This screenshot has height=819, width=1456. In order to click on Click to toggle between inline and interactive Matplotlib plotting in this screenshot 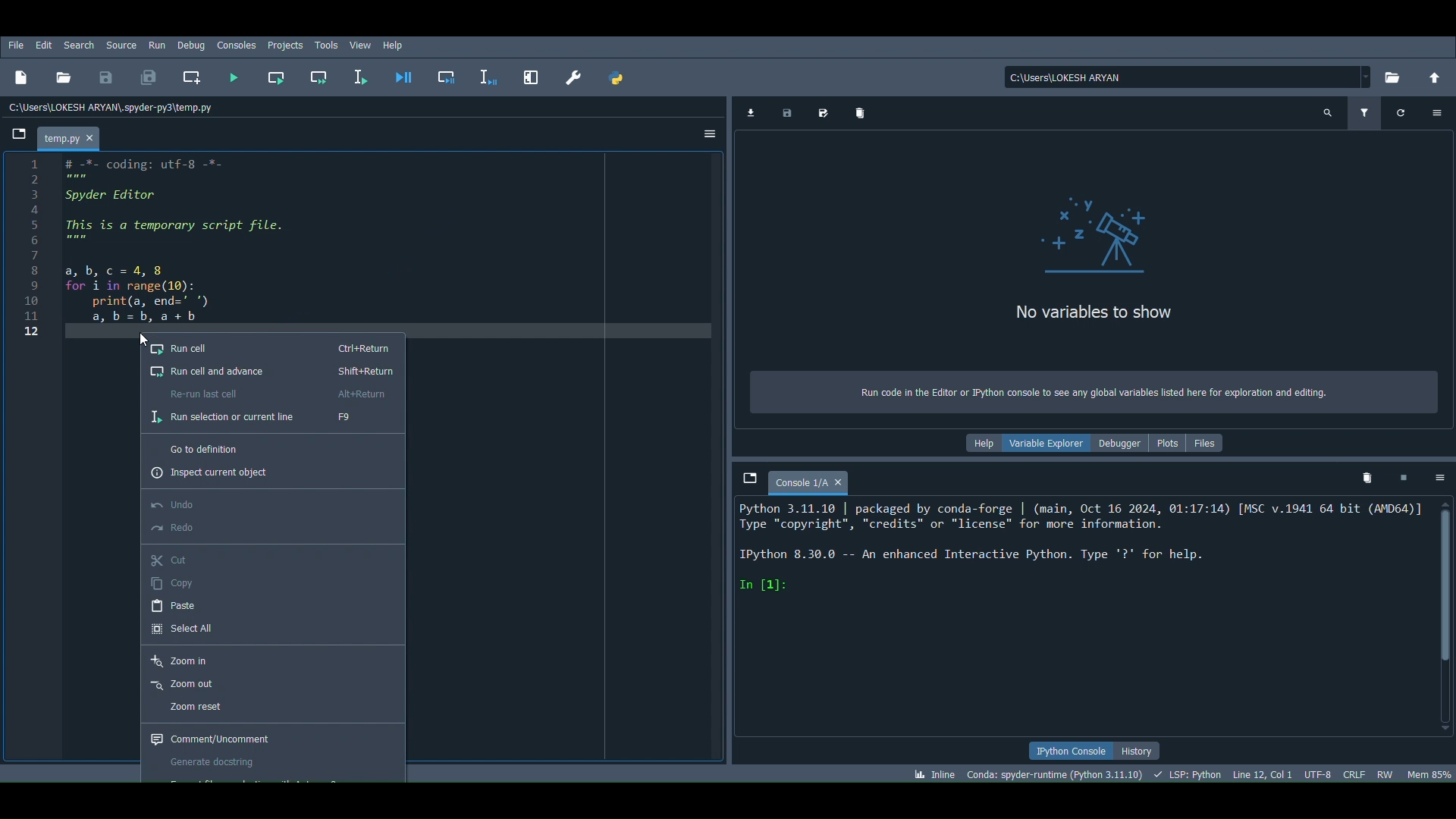, I will do `click(933, 773)`.